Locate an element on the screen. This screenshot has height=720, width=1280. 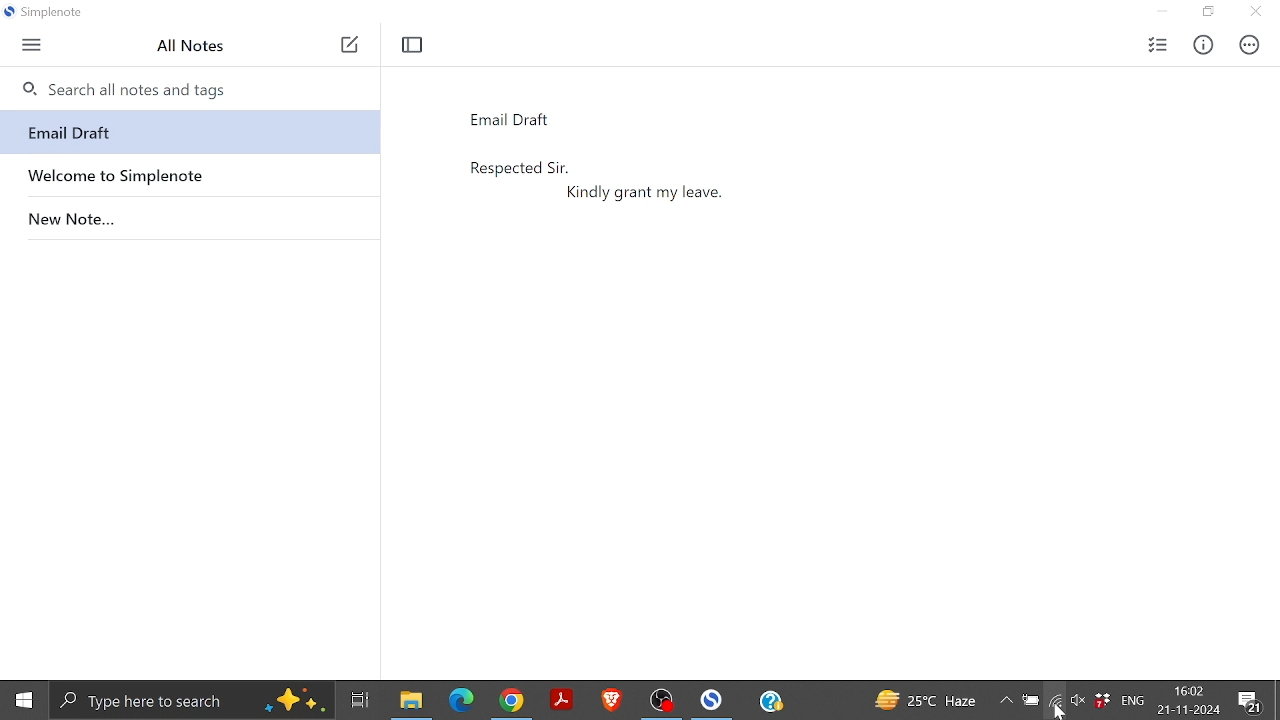
Actions is located at coordinates (1246, 45).